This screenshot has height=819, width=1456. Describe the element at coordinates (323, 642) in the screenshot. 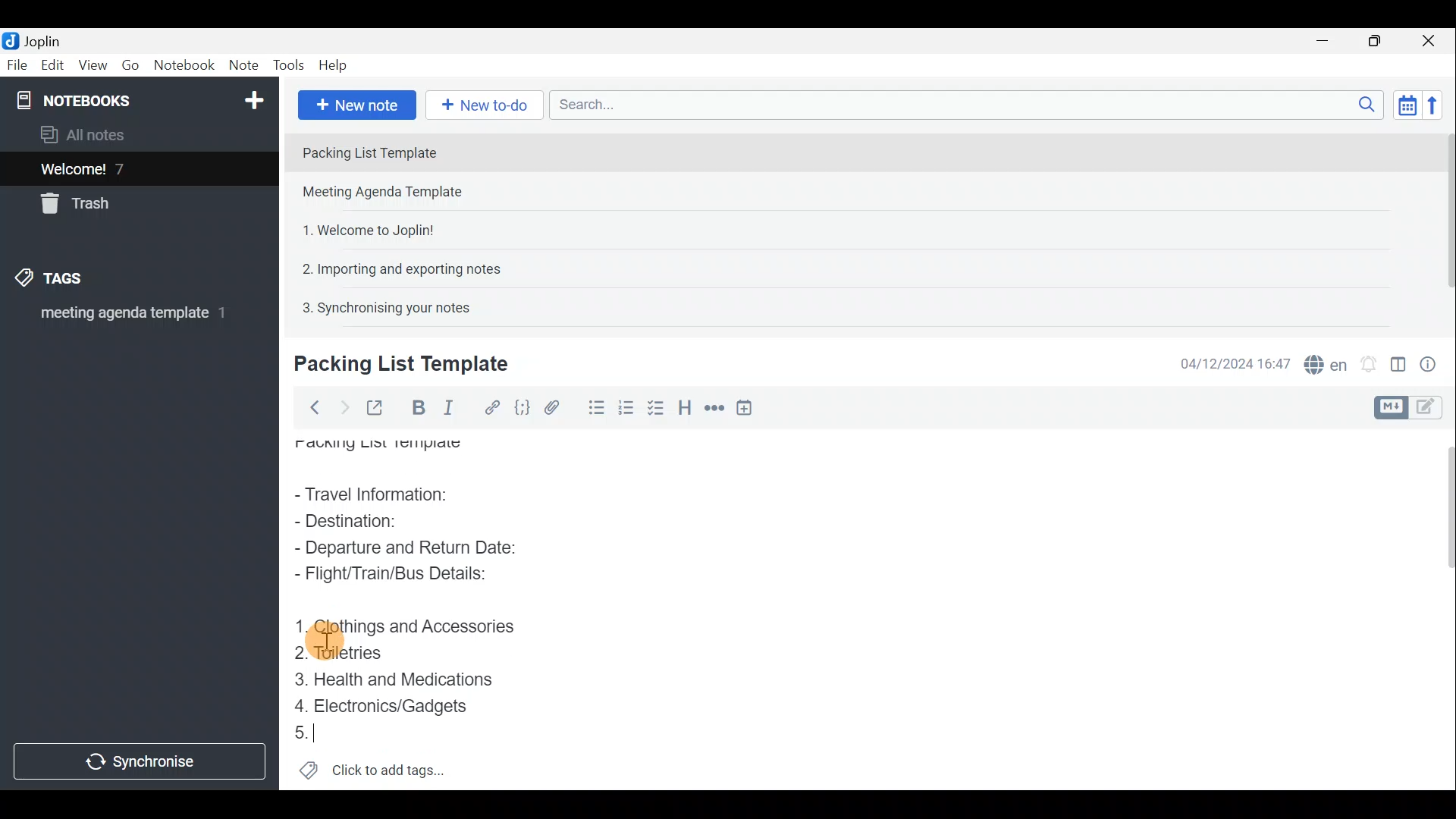

I see `cursor` at that location.